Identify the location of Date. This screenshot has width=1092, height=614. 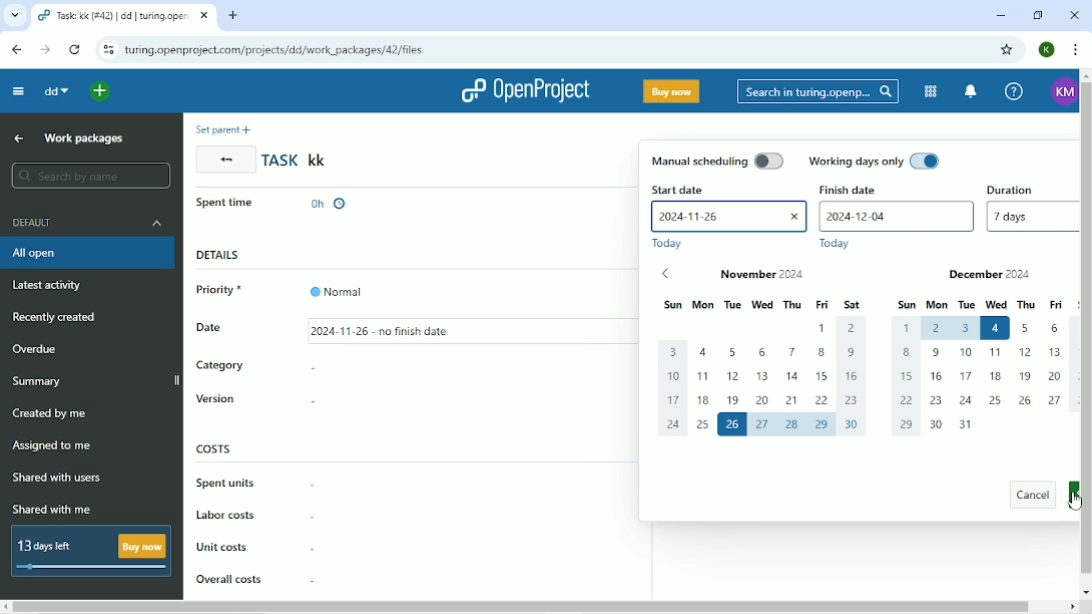
(223, 331).